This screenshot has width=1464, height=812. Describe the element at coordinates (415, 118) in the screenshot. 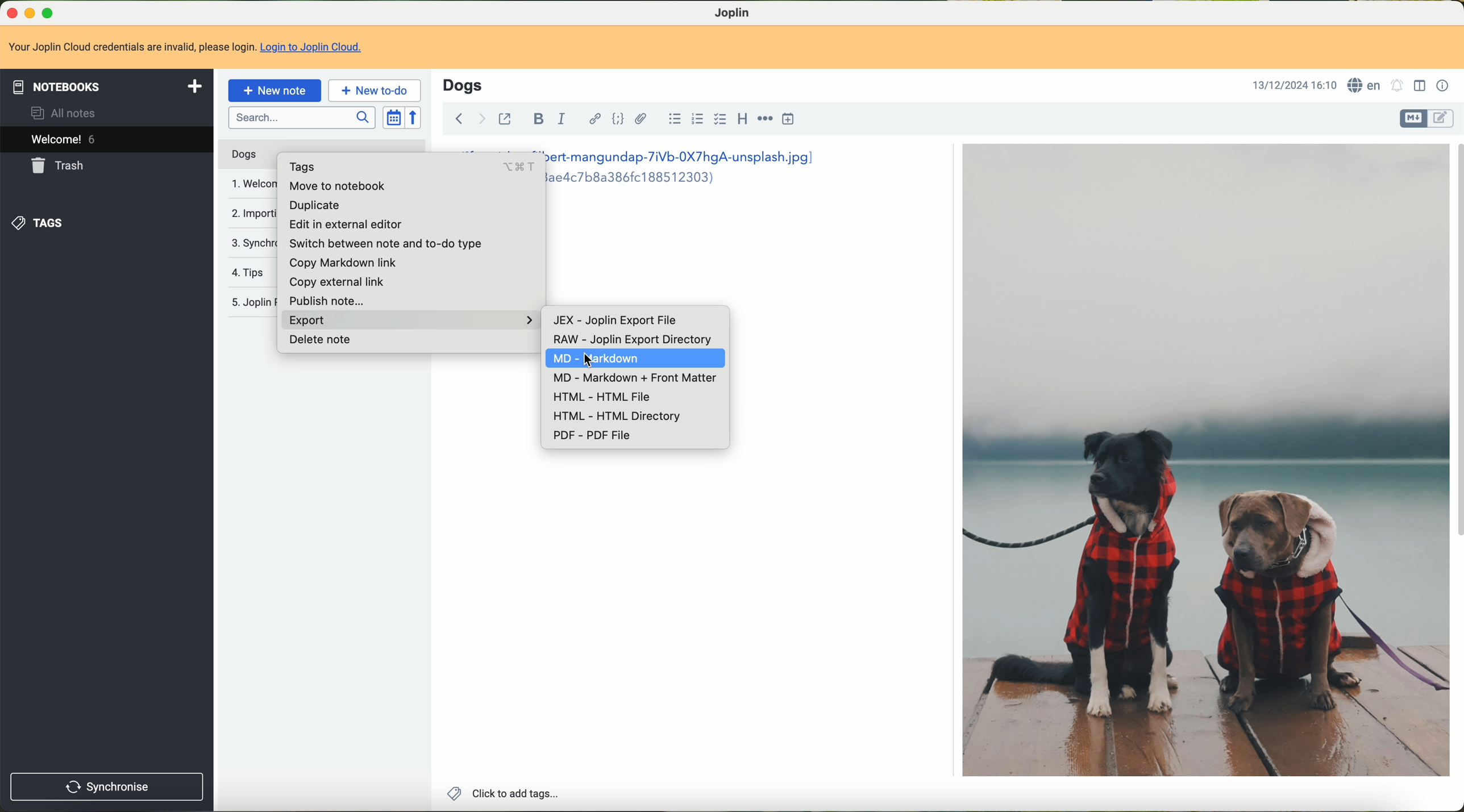

I see `reverse sort order` at that location.